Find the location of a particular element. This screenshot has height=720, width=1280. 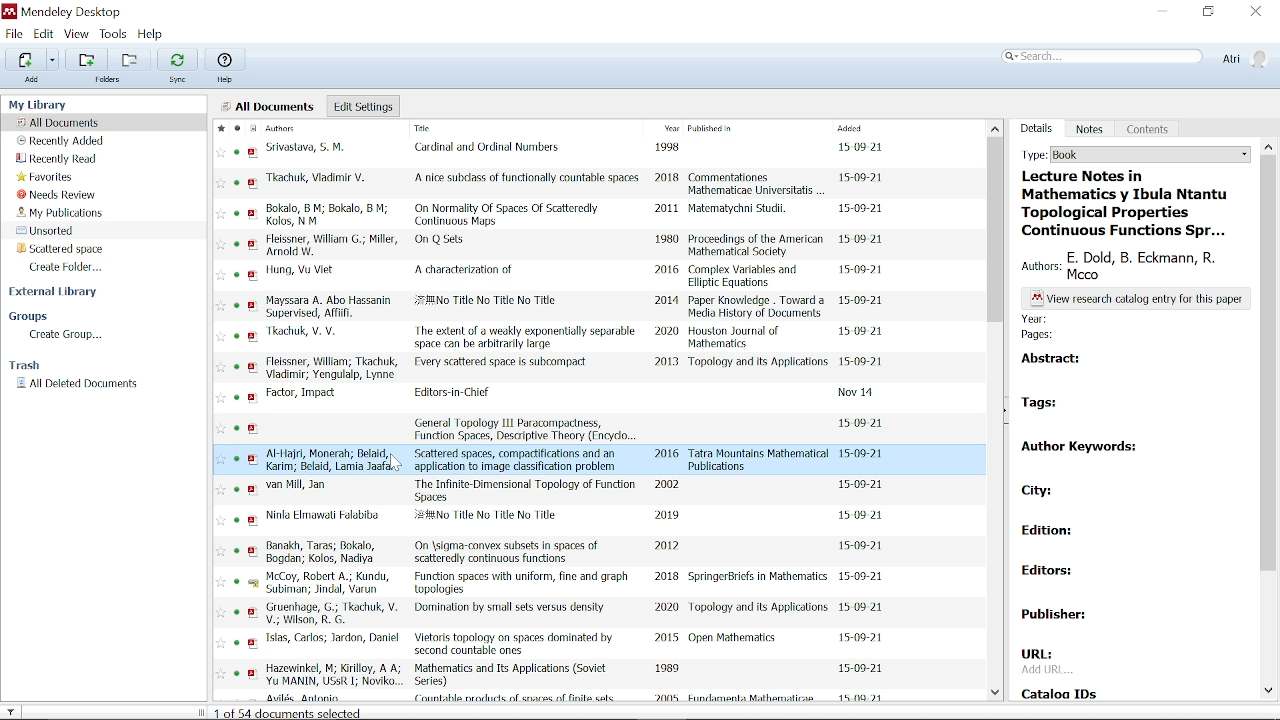

2016 is located at coordinates (668, 453).